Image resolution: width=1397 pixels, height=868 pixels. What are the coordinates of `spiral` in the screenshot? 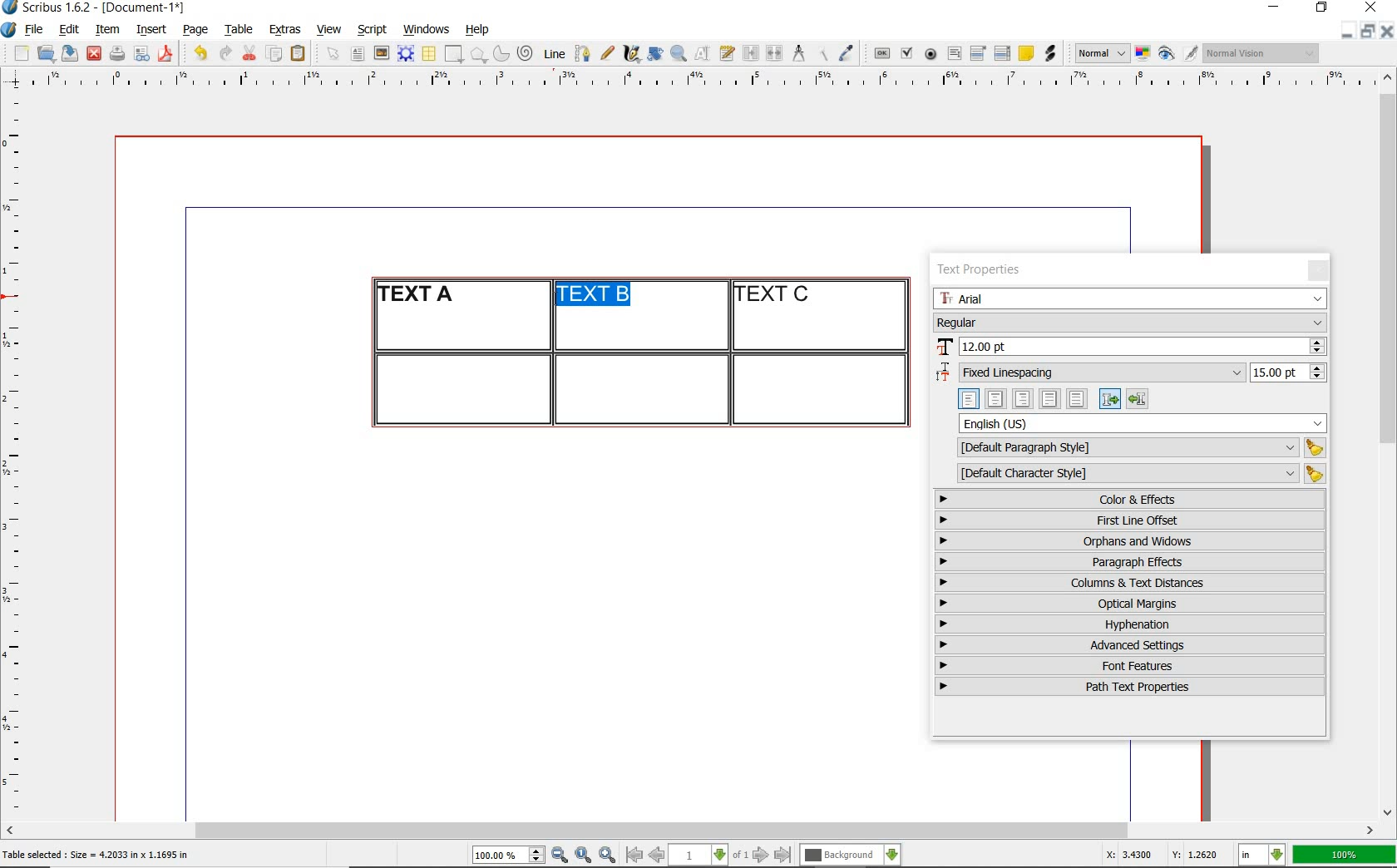 It's located at (526, 53).